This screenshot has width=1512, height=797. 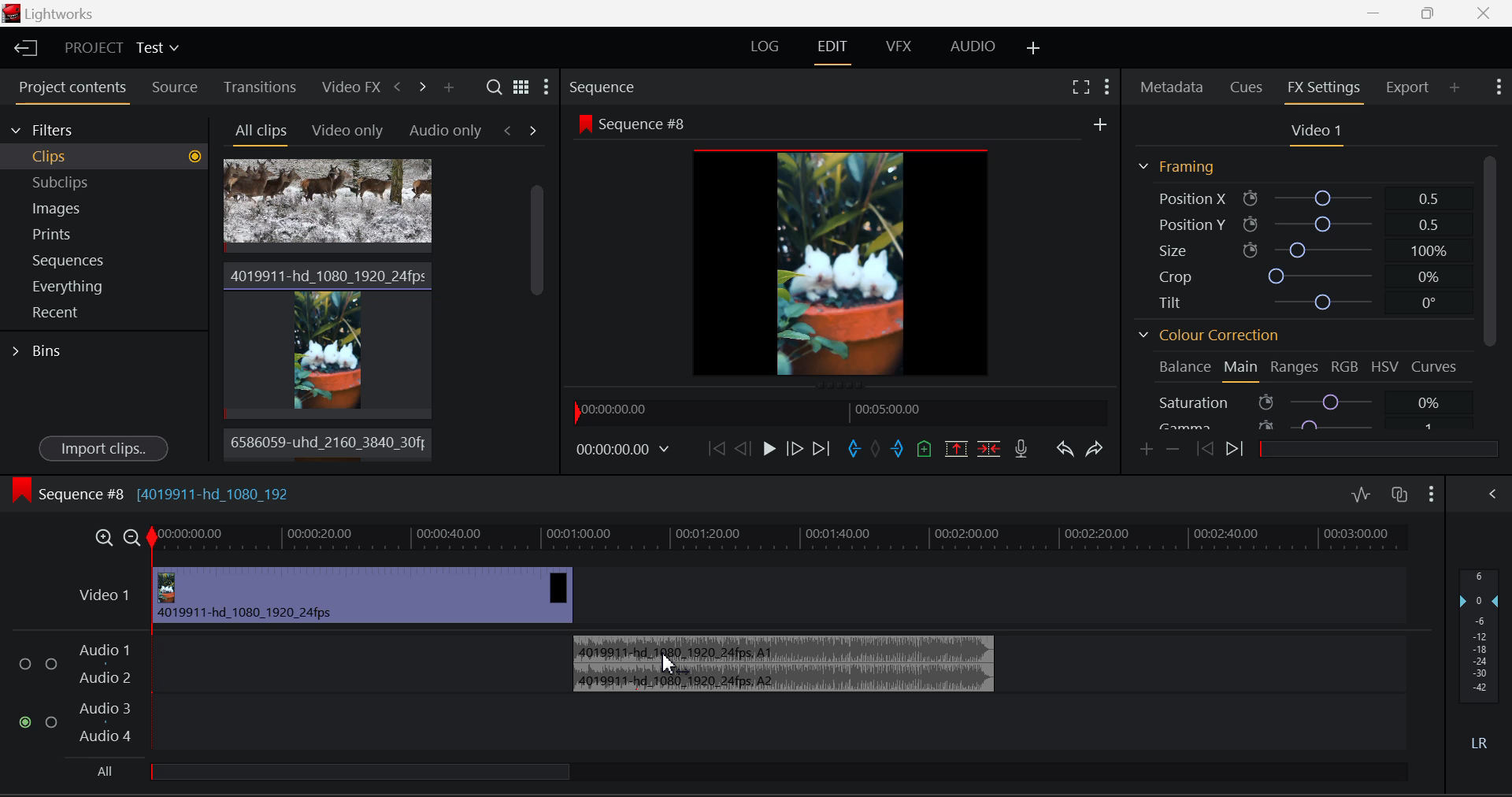 I want to click on Show Settings, so click(x=1498, y=87).